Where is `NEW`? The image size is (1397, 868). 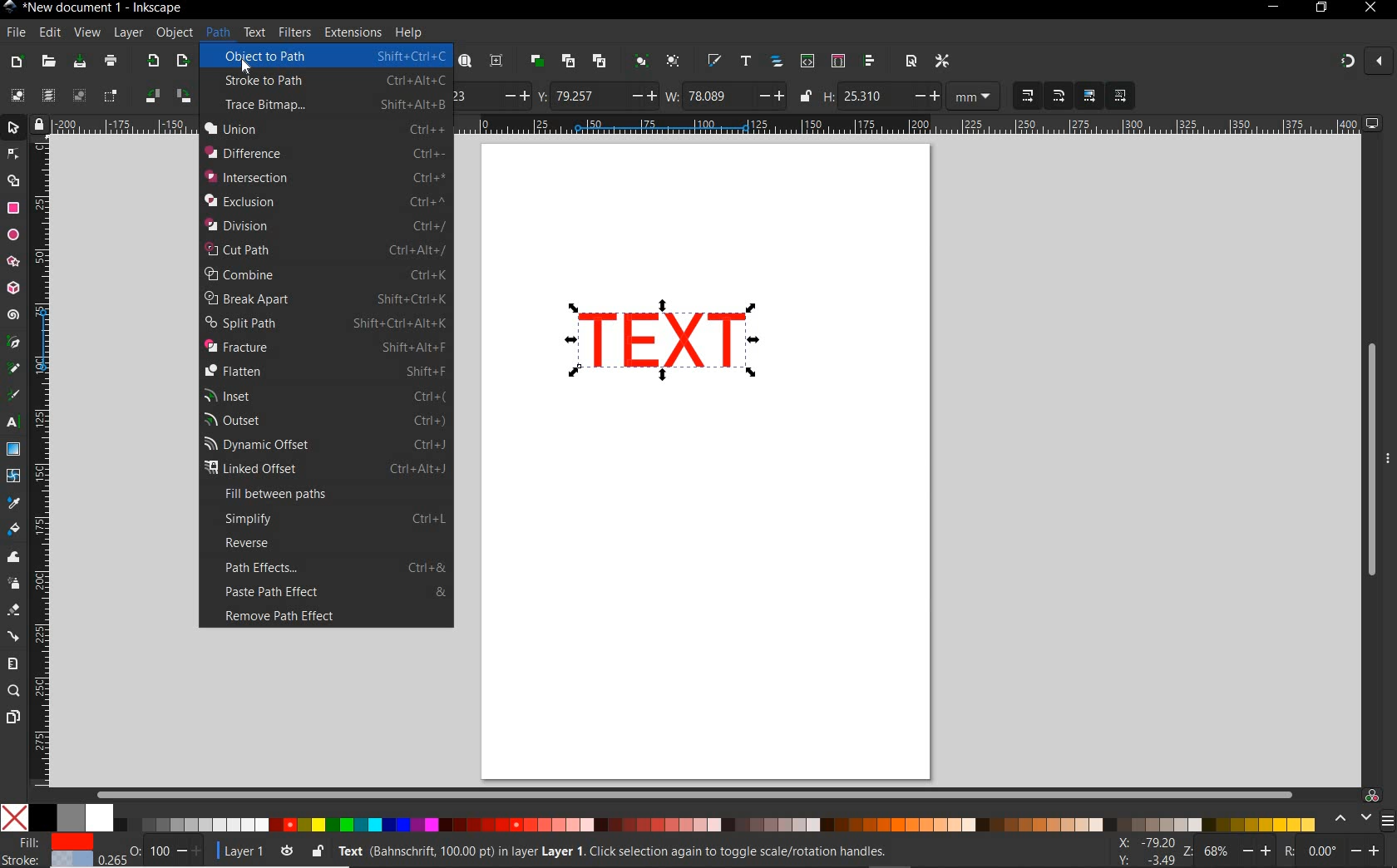
NEW is located at coordinates (16, 62).